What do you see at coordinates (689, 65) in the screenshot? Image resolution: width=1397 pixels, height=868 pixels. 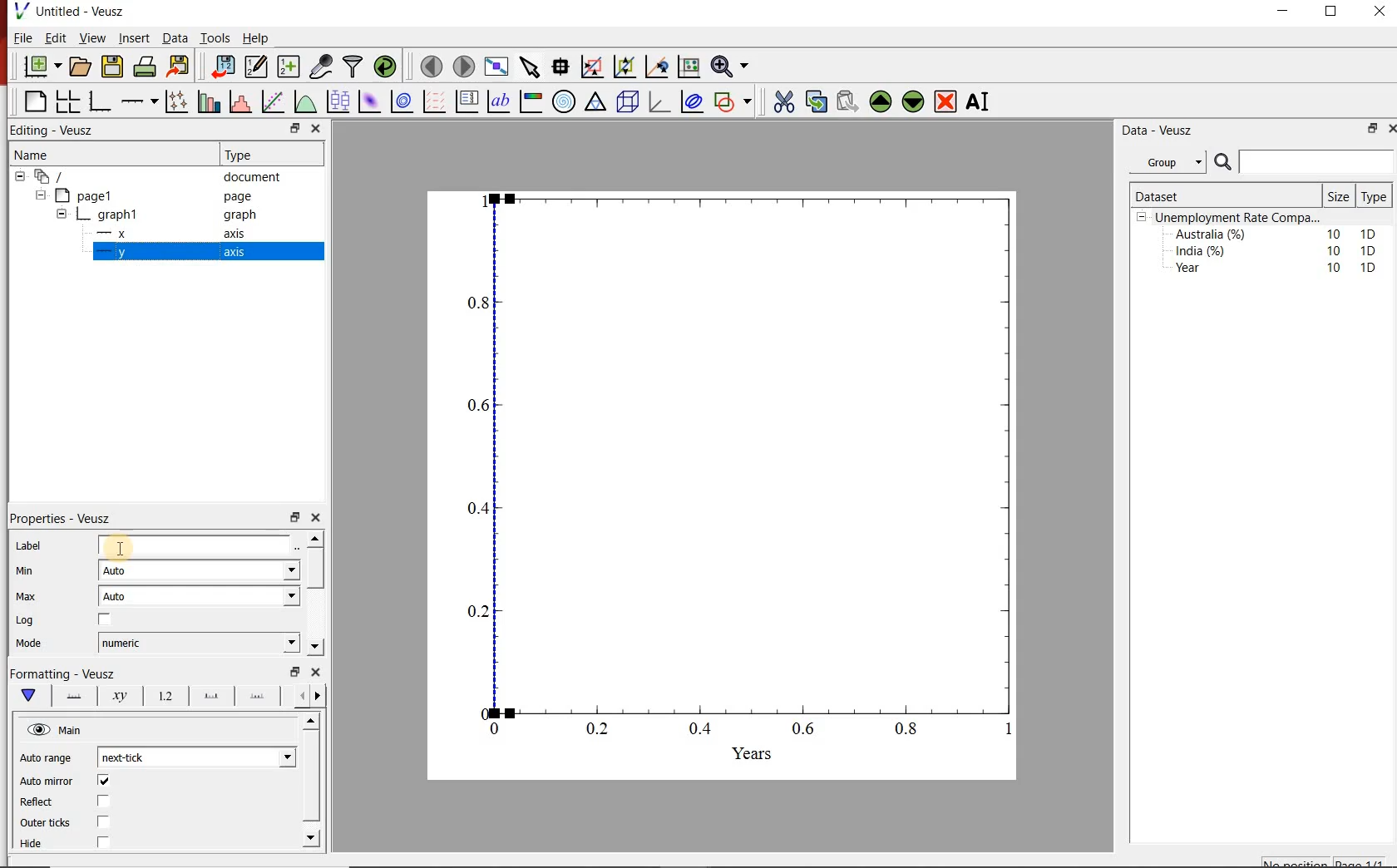 I see `click to resset graph axes` at bounding box center [689, 65].